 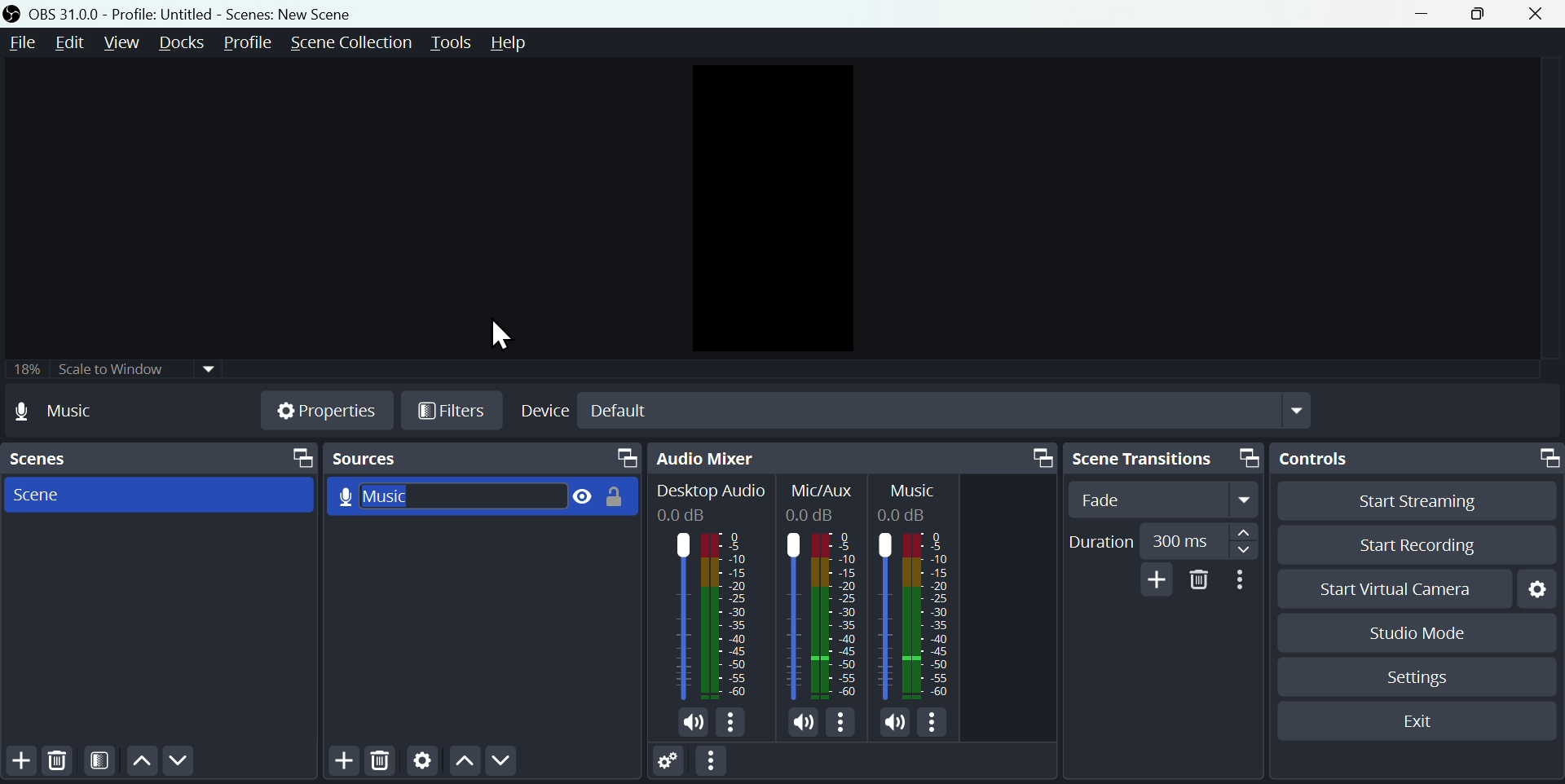 What do you see at coordinates (451, 410) in the screenshot?
I see `Filters` at bounding box center [451, 410].